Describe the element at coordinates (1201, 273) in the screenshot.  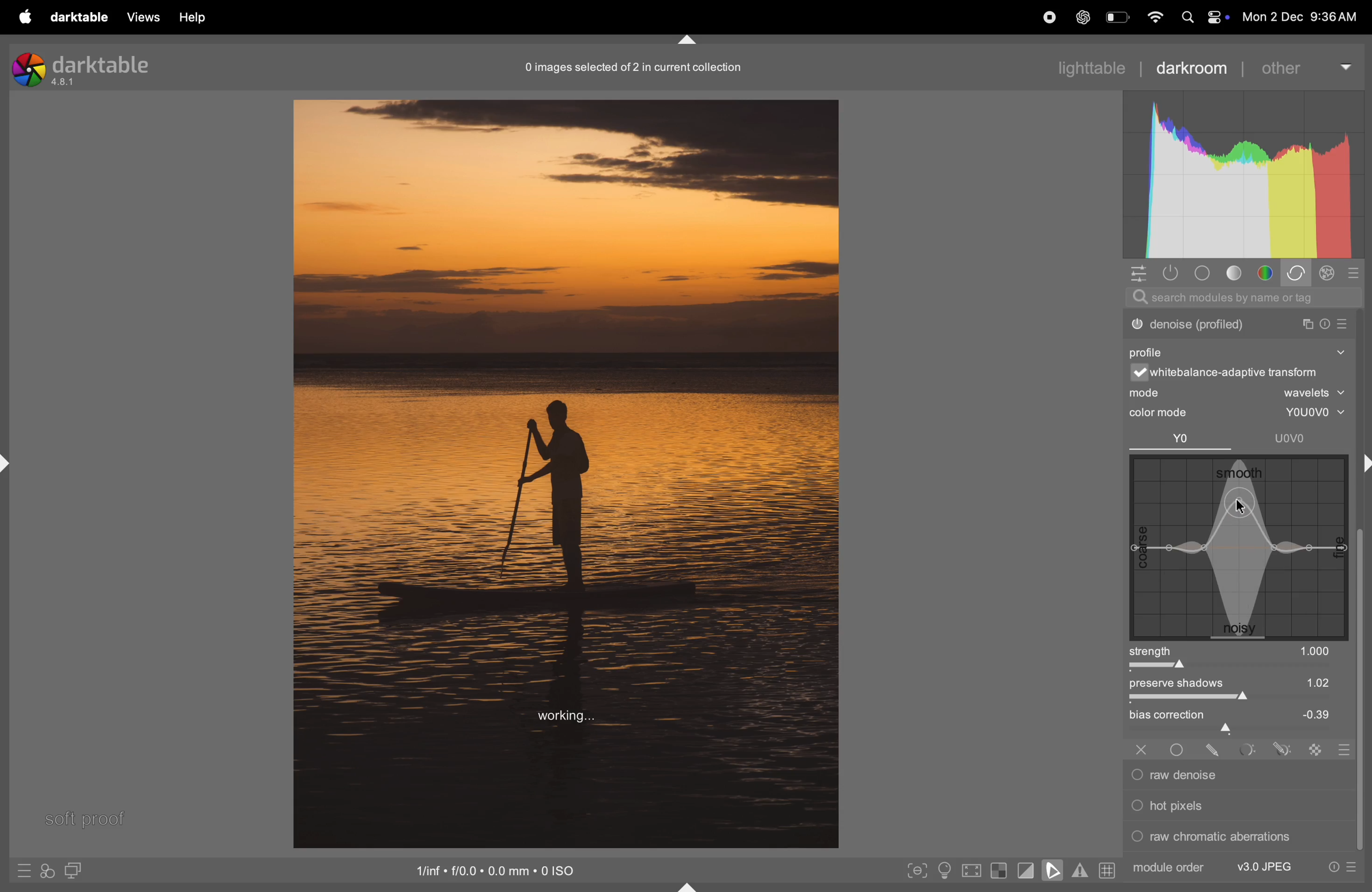
I see `base` at that location.